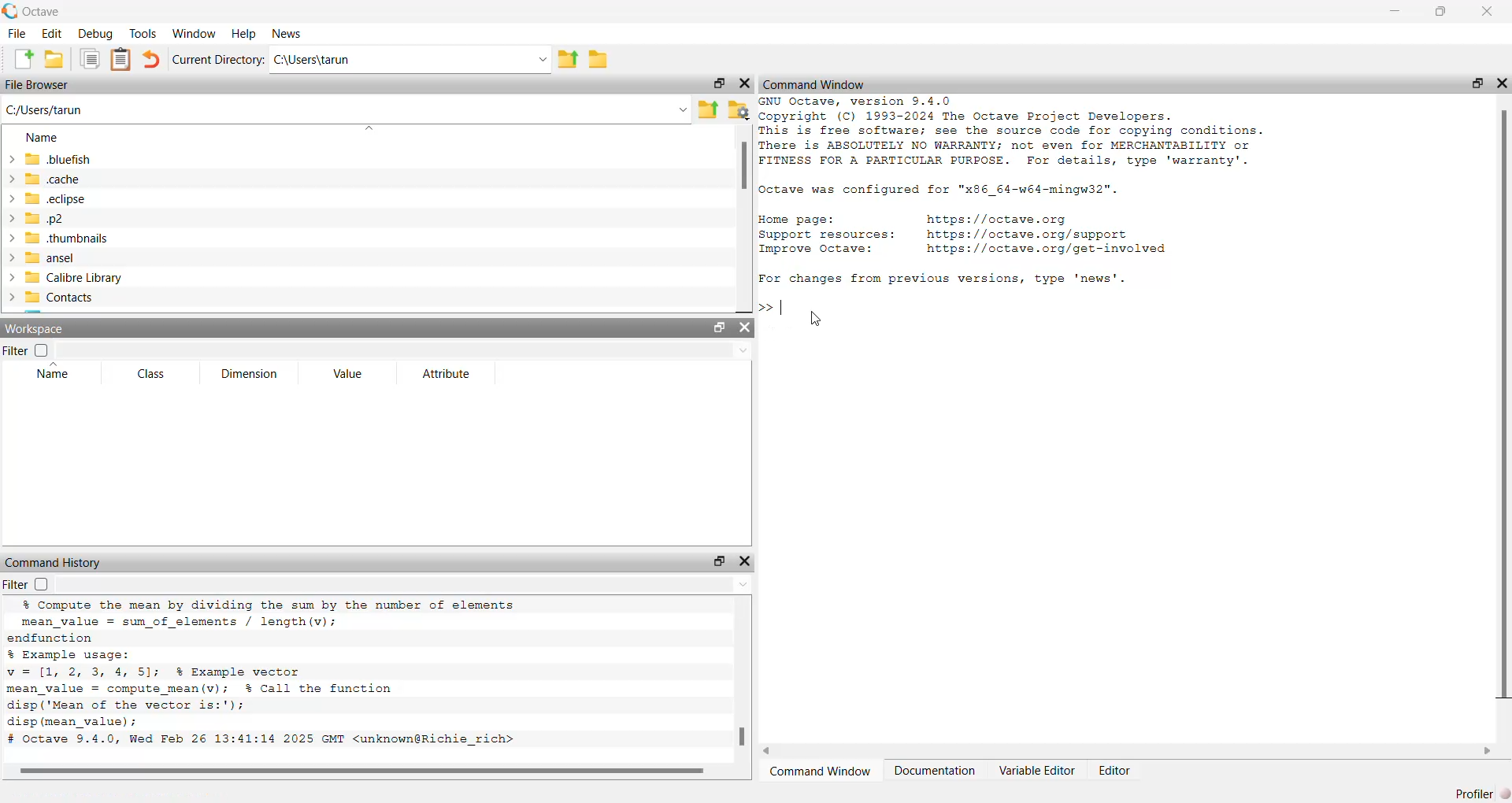 The height and width of the screenshot is (803, 1512). Describe the element at coordinates (744, 166) in the screenshot. I see `scroll bar` at that location.